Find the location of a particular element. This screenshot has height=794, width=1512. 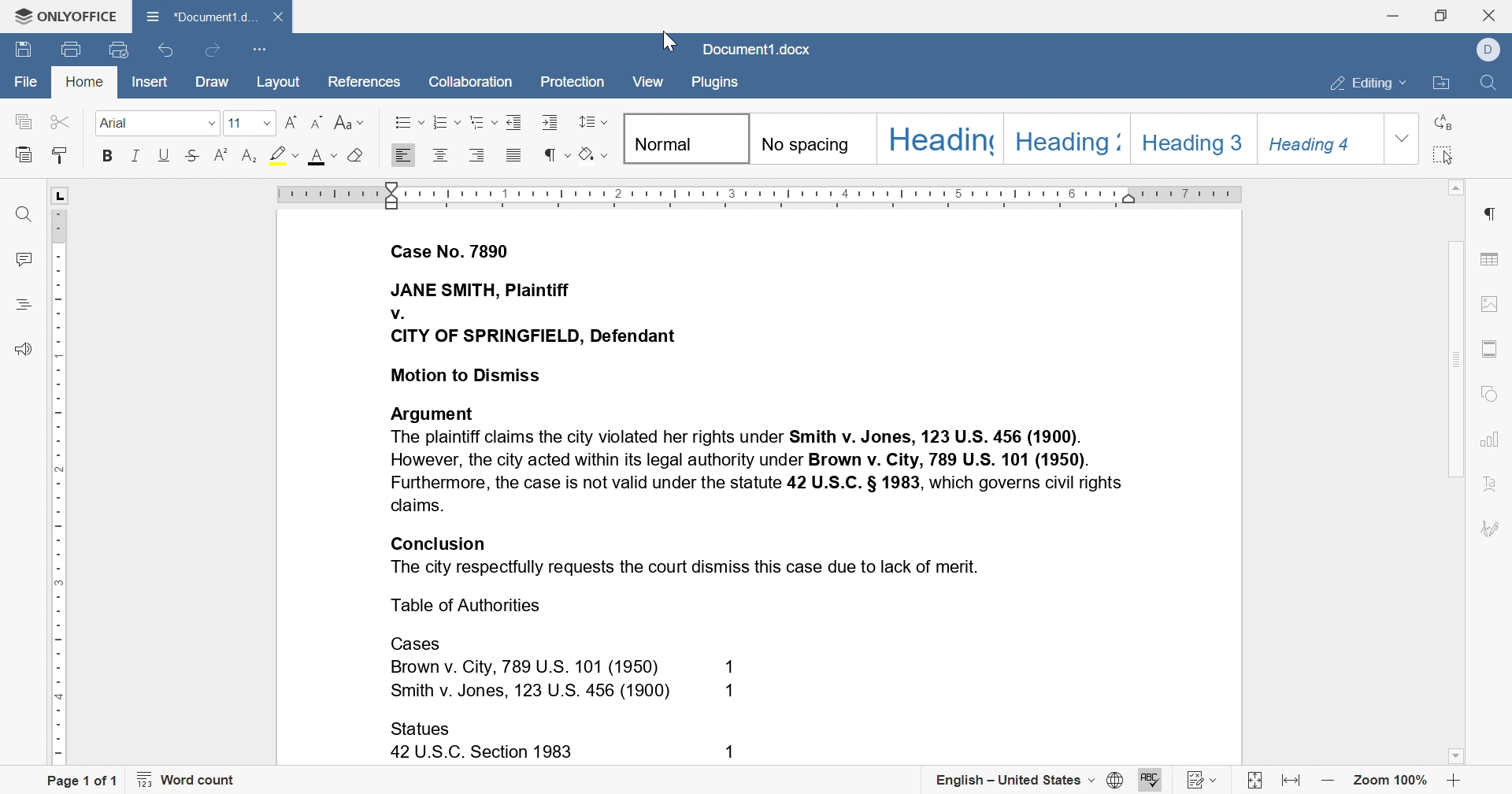

page 1 of 1 is located at coordinates (88, 780).